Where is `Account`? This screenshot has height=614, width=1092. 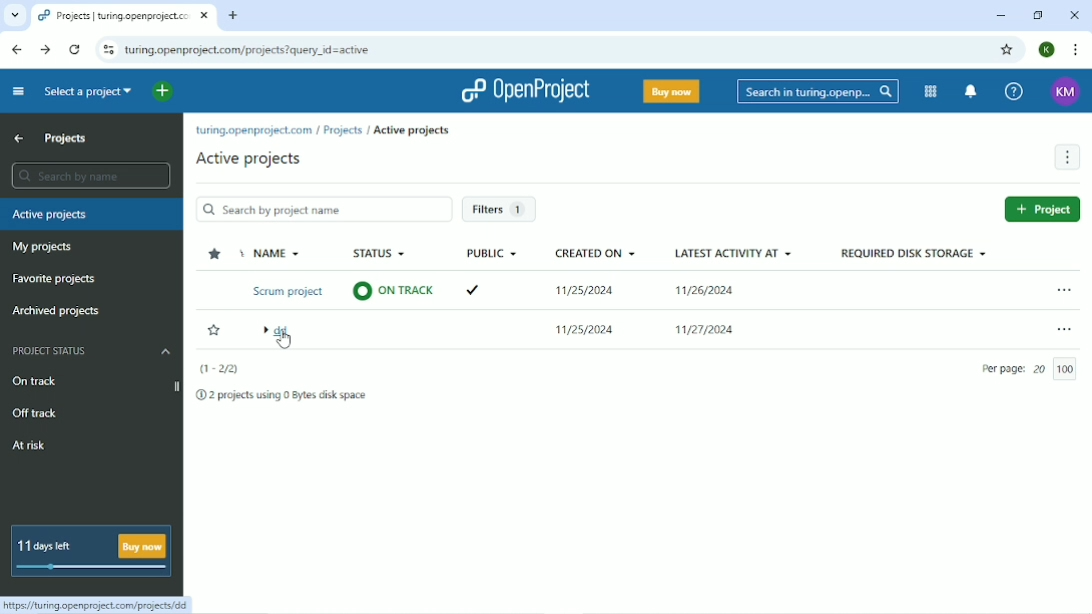
Account is located at coordinates (1066, 91).